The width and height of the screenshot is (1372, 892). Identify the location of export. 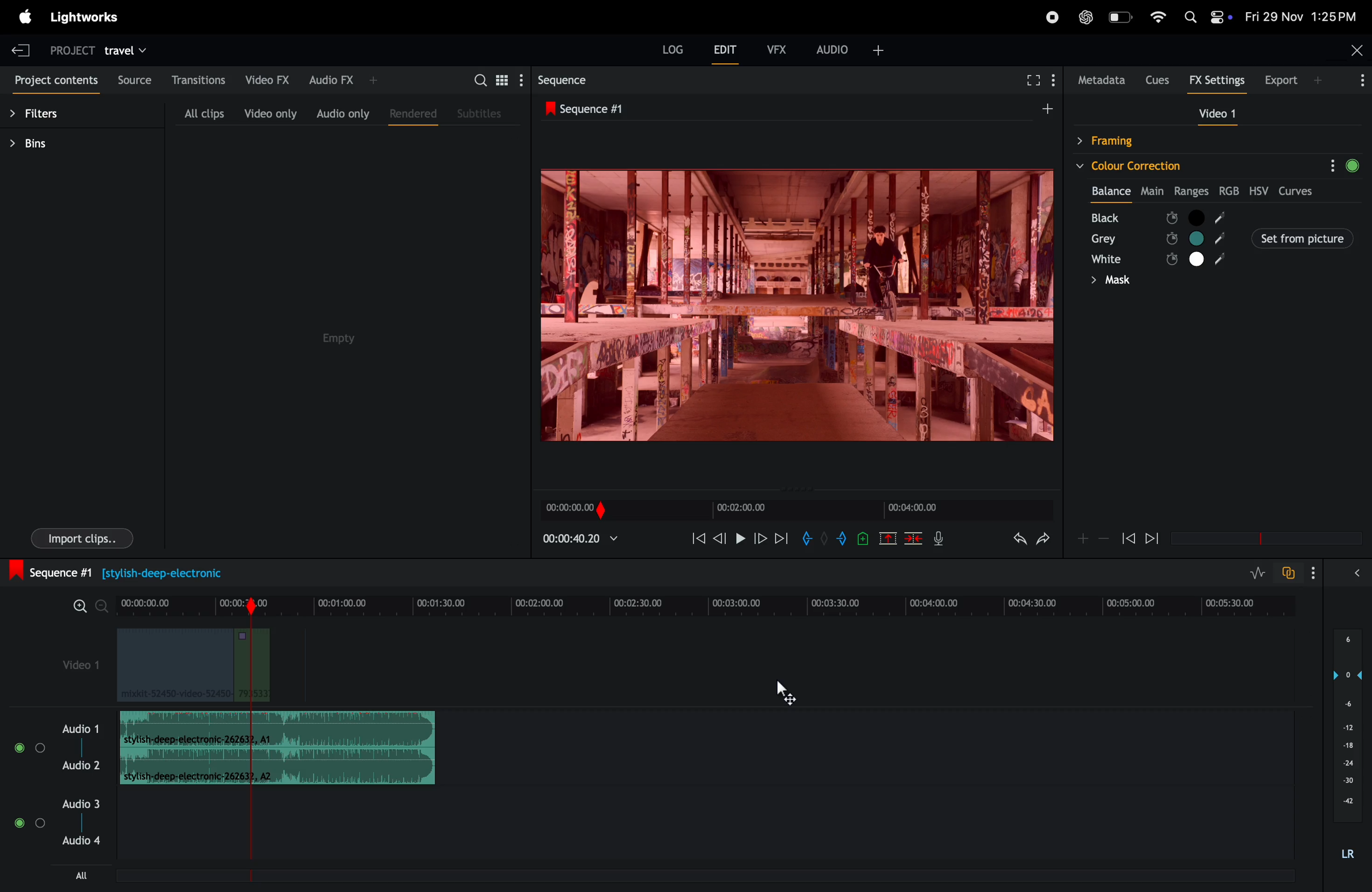
(1296, 80).